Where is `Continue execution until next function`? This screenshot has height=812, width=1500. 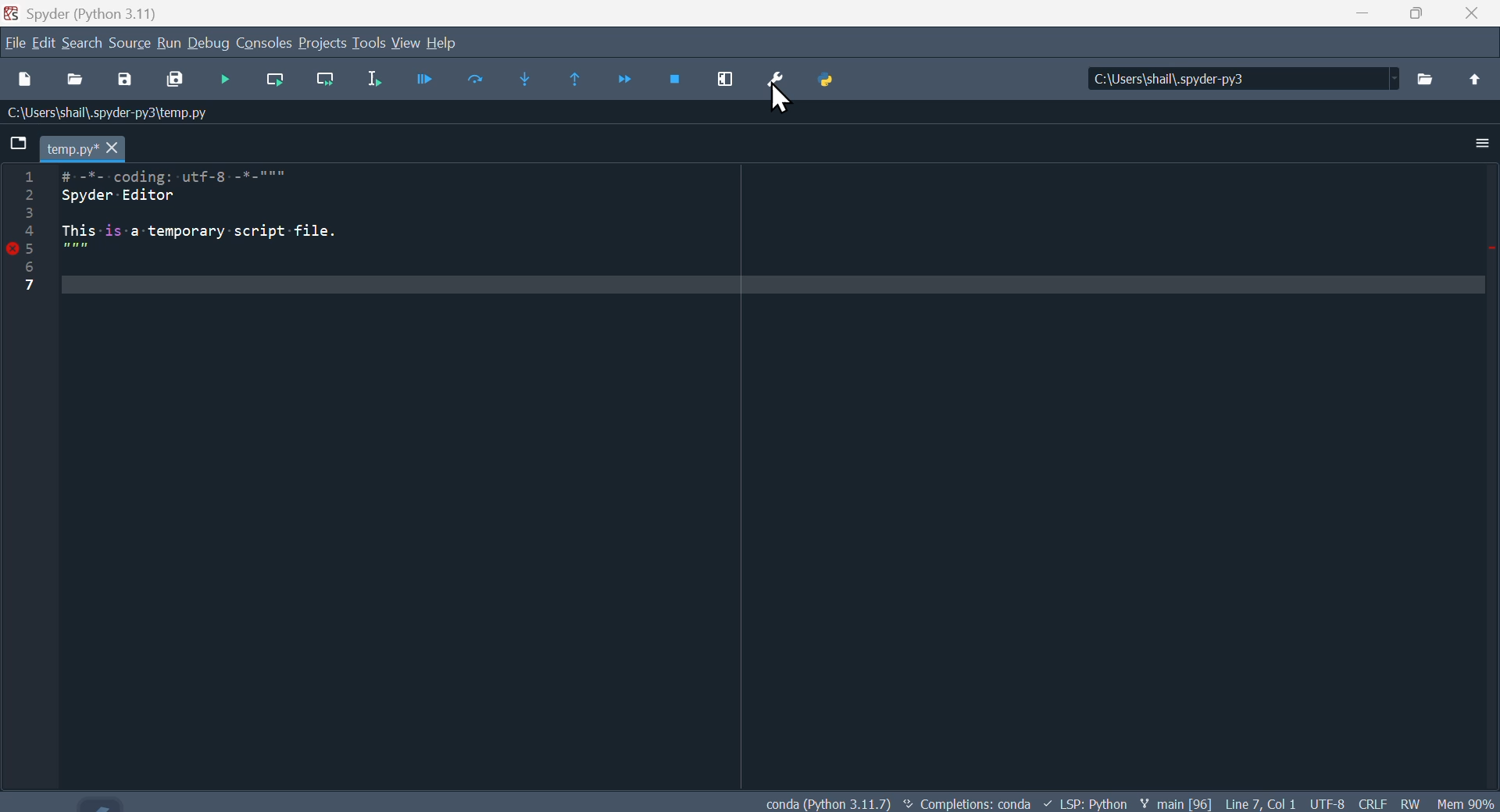 Continue execution until next function is located at coordinates (627, 78).